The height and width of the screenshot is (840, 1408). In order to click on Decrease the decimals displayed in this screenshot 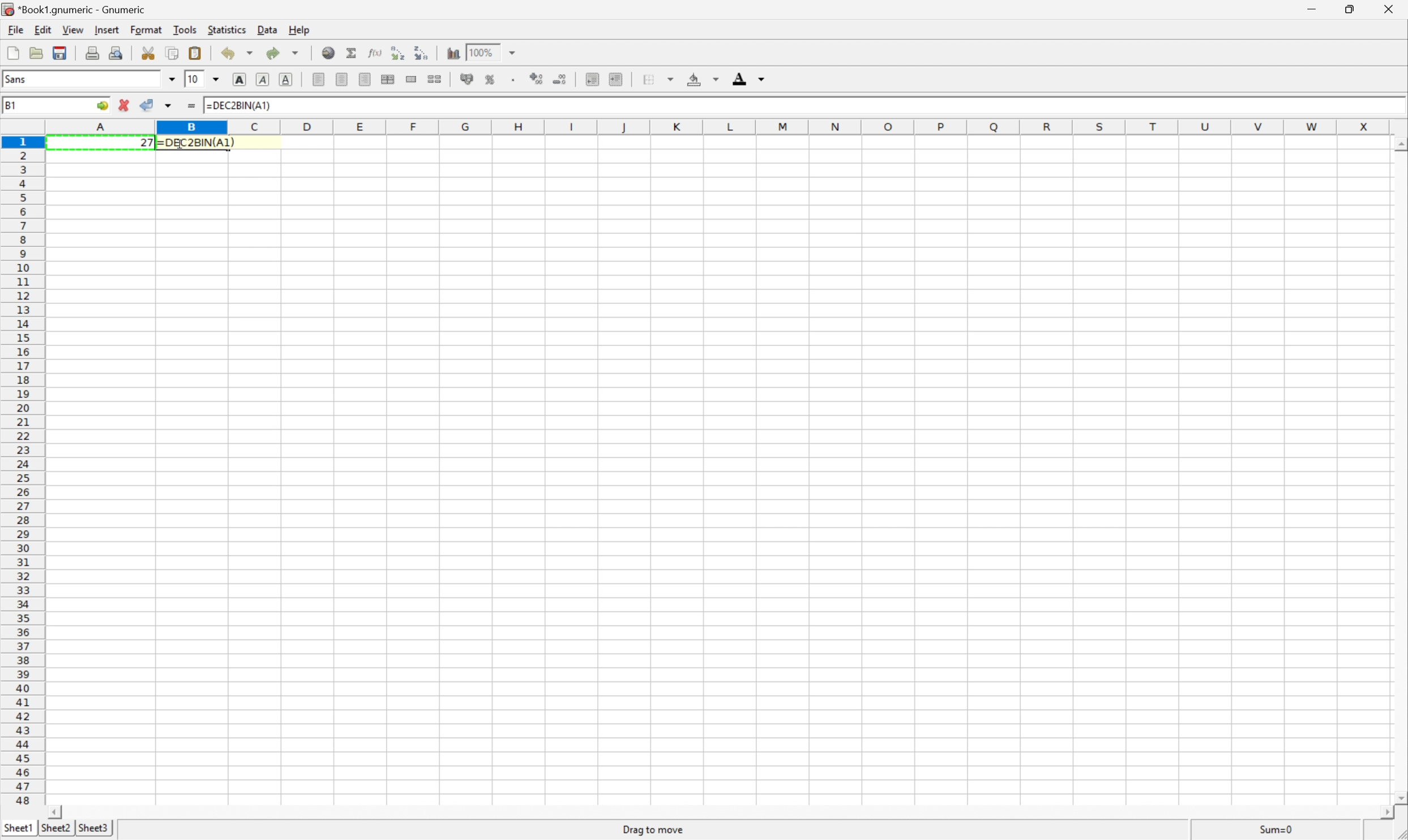, I will do `click(559, 78)`.